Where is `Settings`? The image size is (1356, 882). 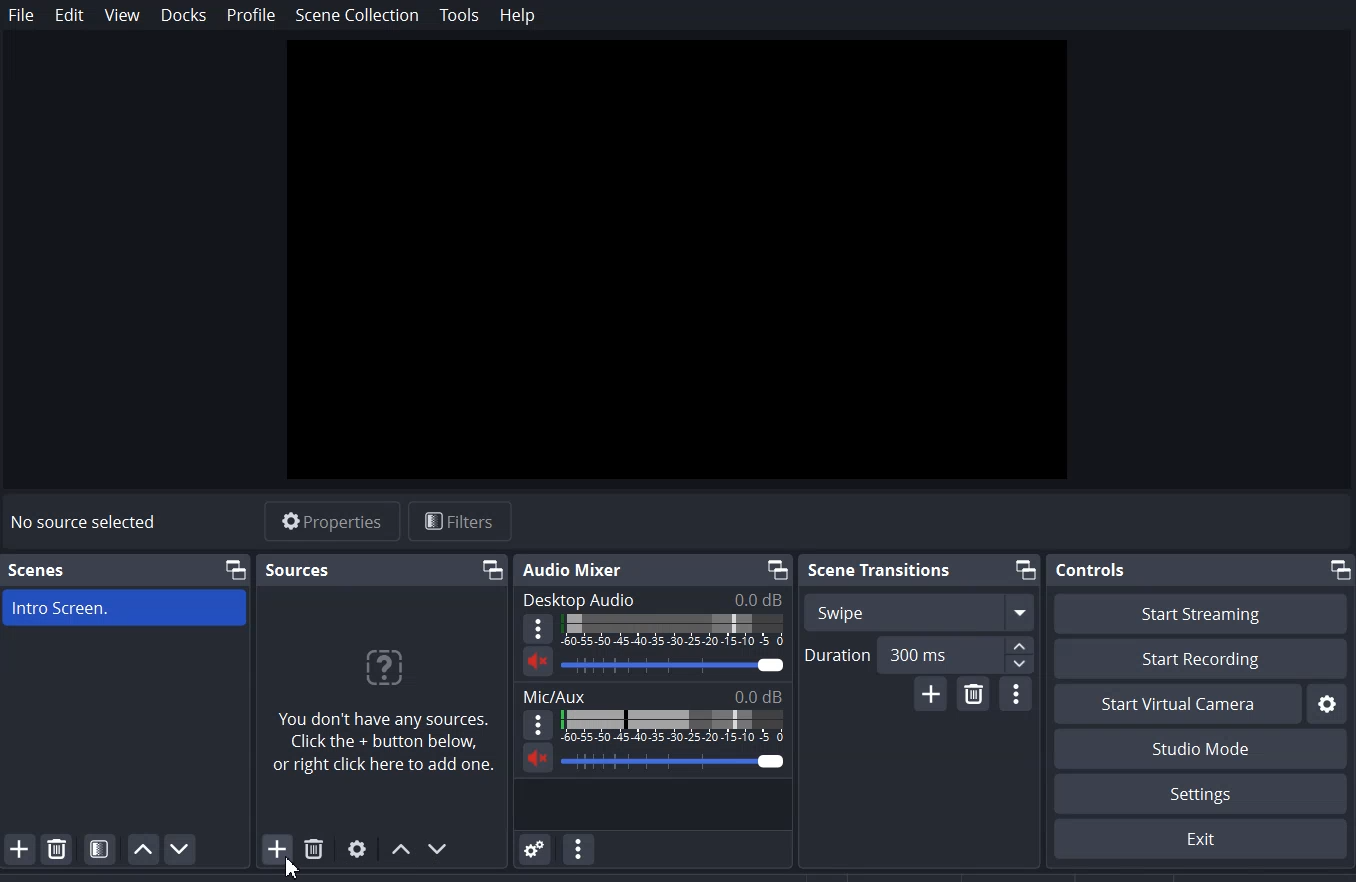 Settings is located at coordinates (1327, 703).